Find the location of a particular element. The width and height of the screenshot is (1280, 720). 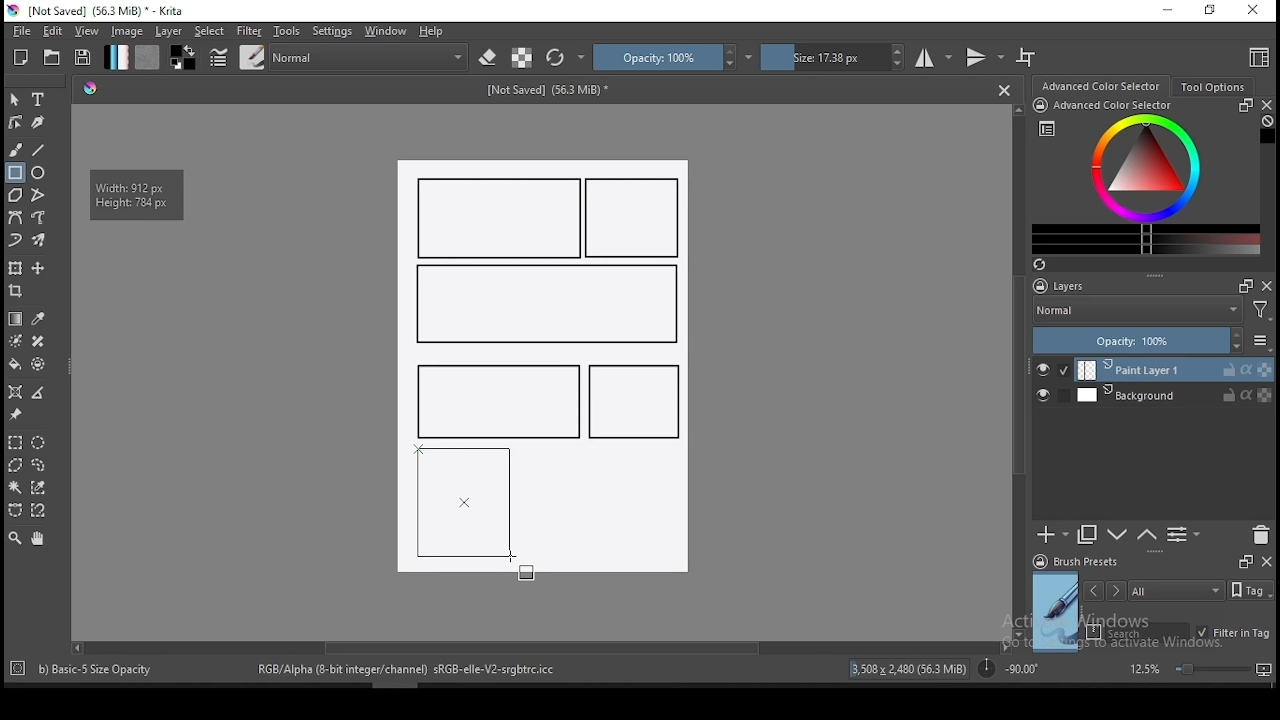

brush settings is located at coordinates (217, 57).